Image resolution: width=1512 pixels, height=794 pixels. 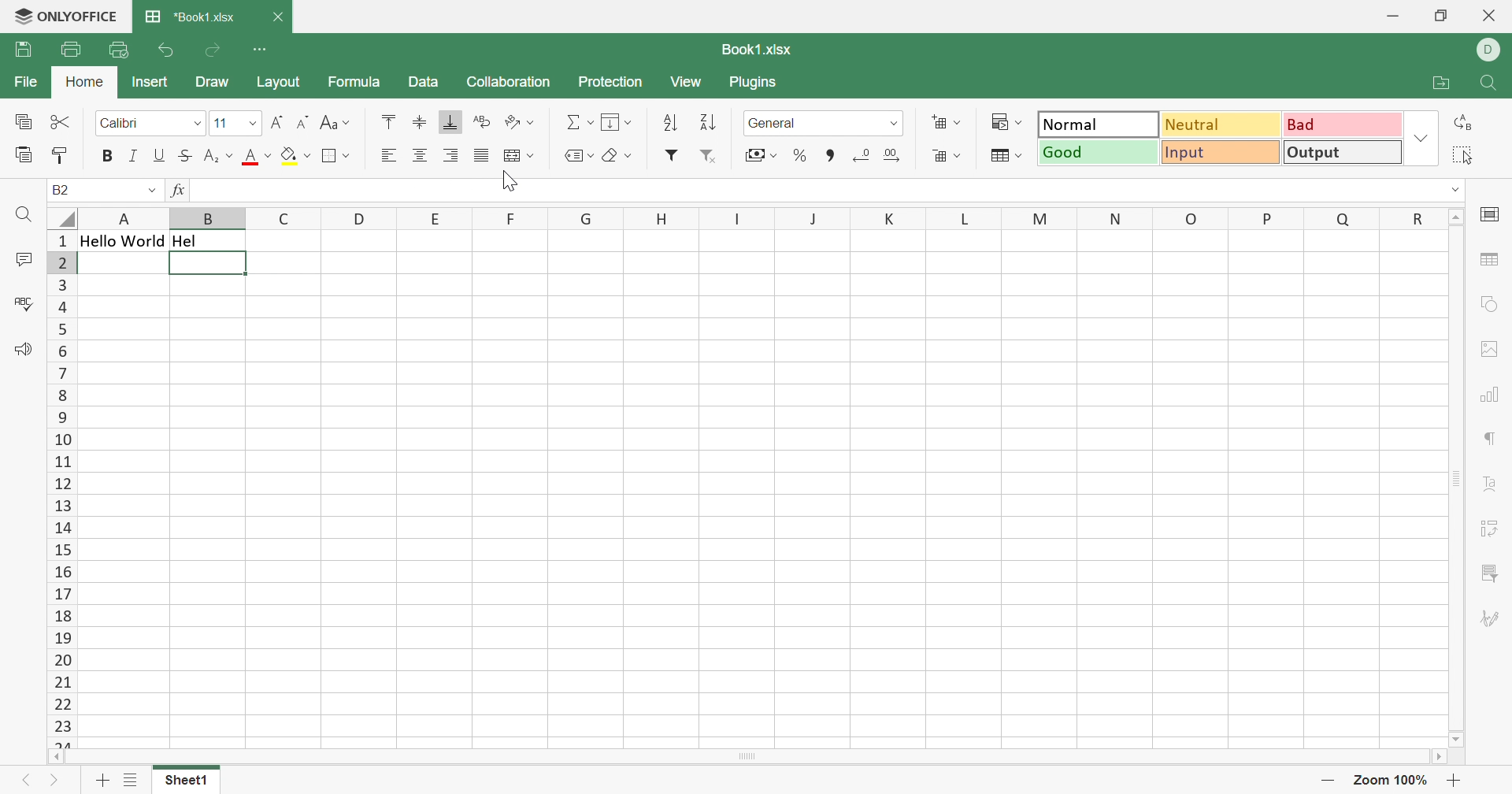 I want to click on Scroll up, so click(x=1456, y=217).